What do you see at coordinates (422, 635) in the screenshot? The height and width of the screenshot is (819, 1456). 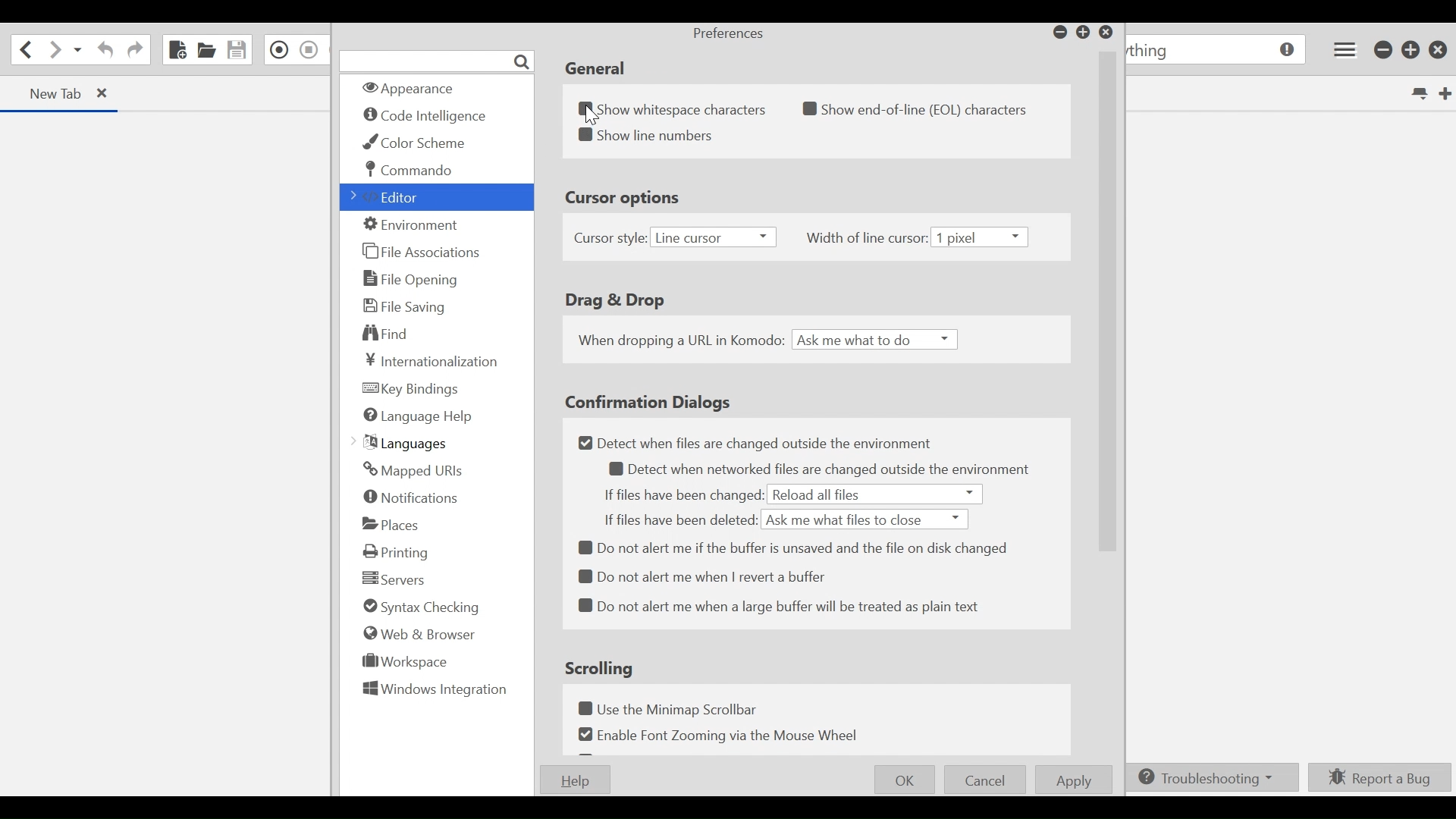 I see `Web & Browser` at bounding box center [422, 635].